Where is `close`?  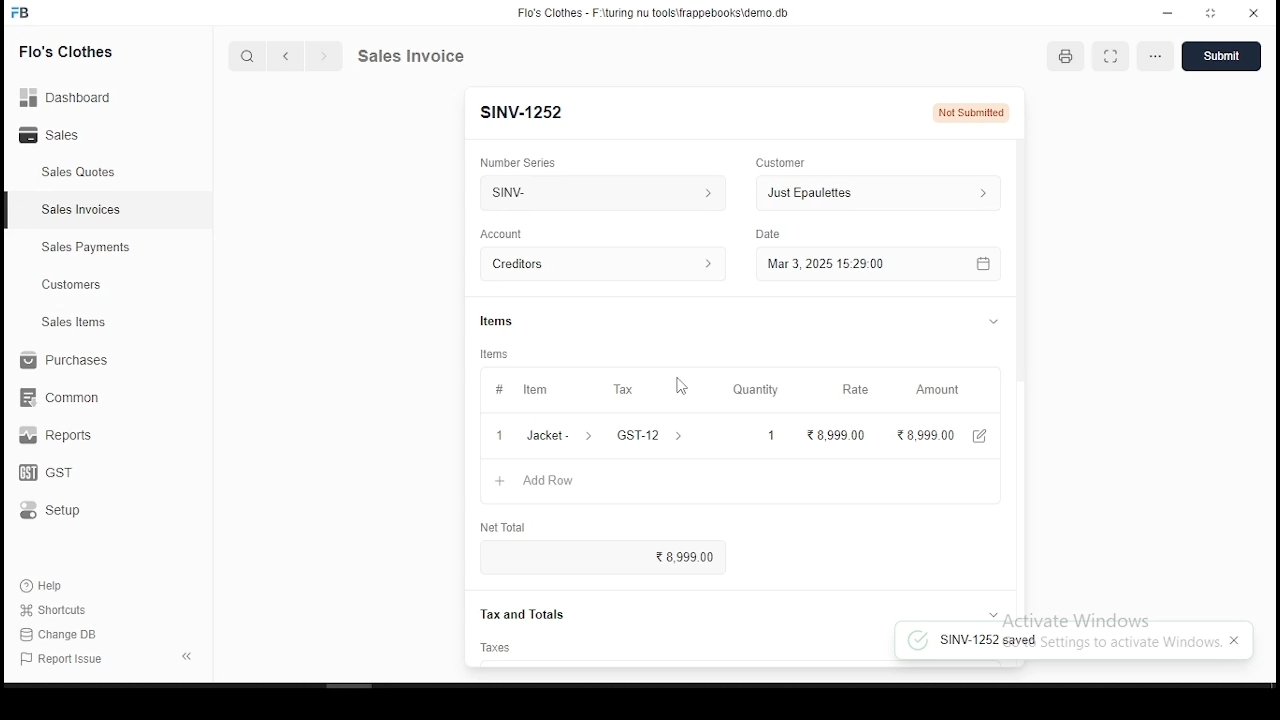
close is located at coordinates (1254, 12).